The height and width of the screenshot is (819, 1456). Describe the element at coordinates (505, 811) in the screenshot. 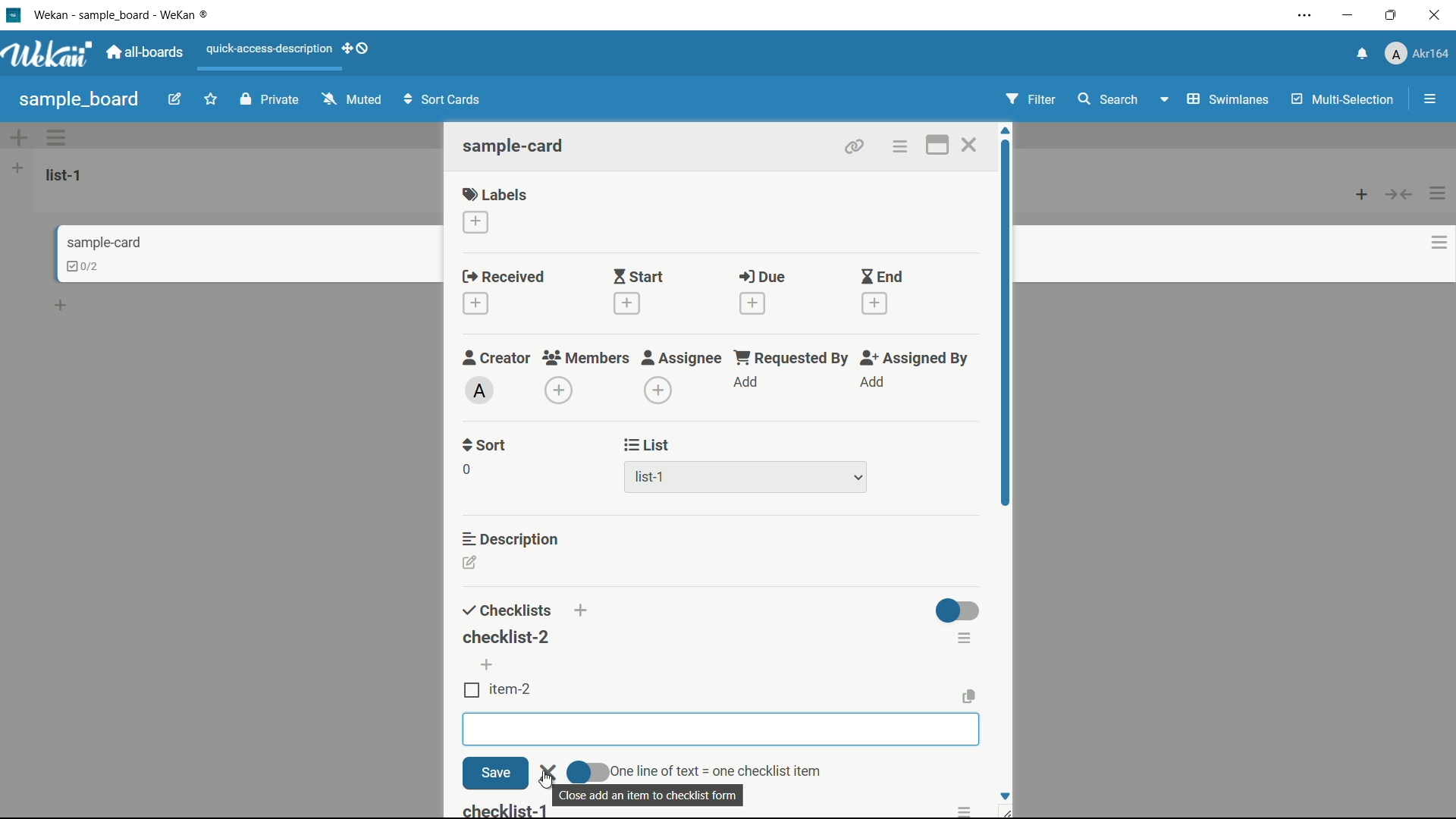

I see `checklist-1` at that location.